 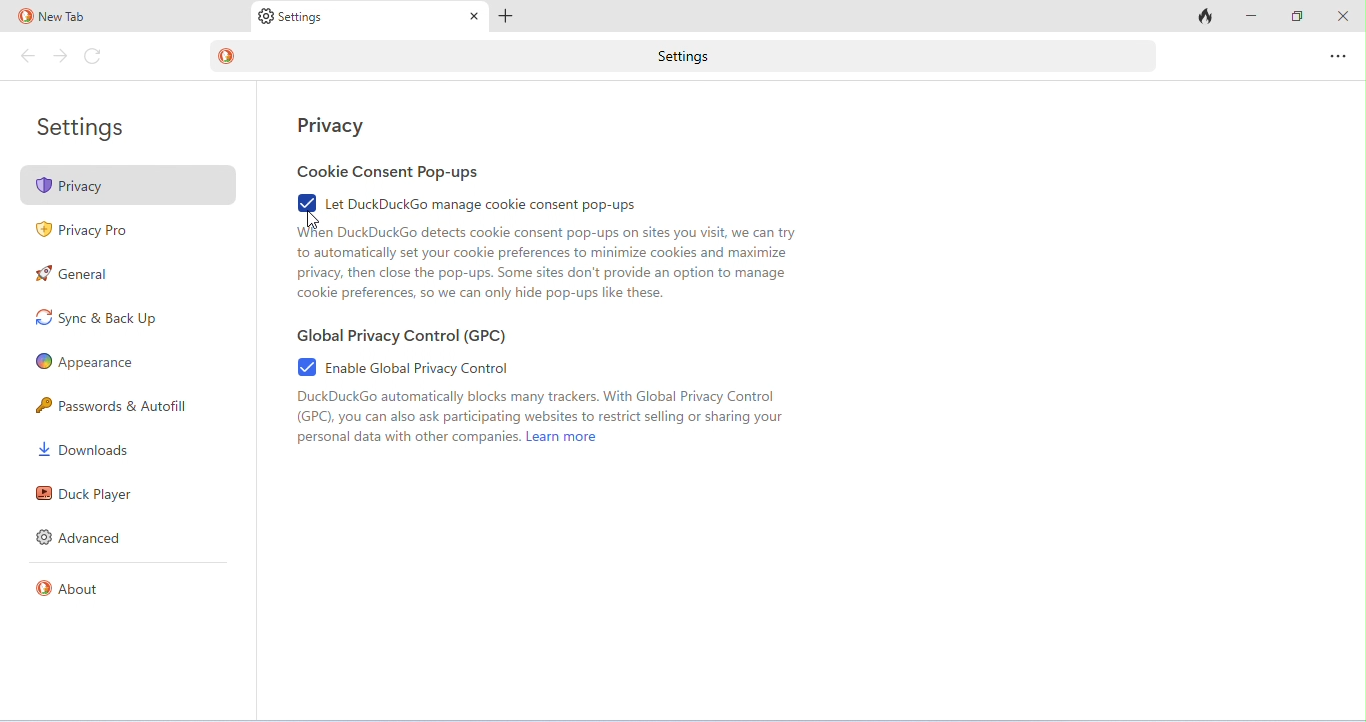 What do you see at coordinates (506, 17) in the screenshot?
I see `add new tab` at bounding box center [506, 17].